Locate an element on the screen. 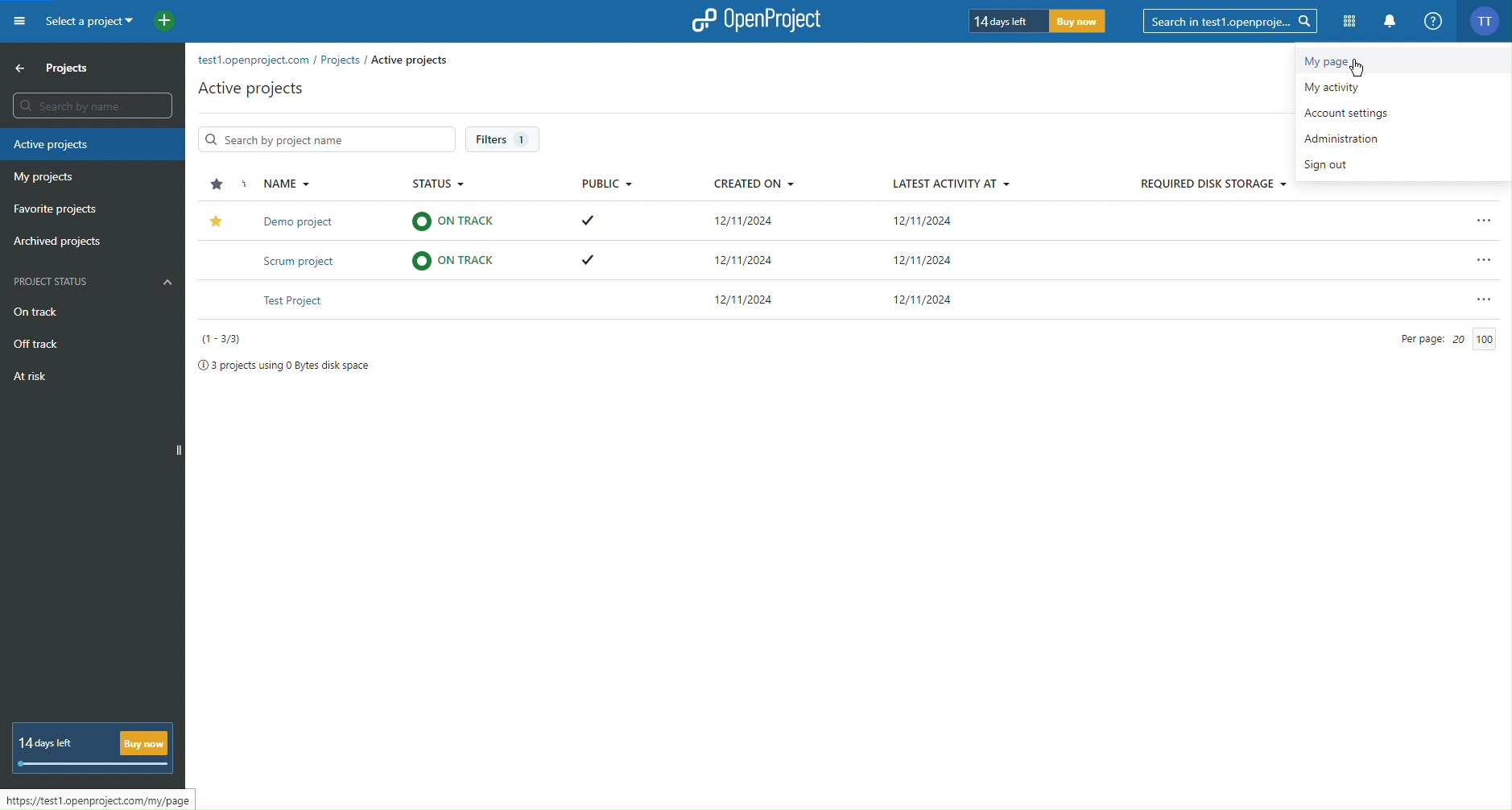 The width and height of the screenshot is (1512, 810). Text Project is located at coordinates (299, 301).